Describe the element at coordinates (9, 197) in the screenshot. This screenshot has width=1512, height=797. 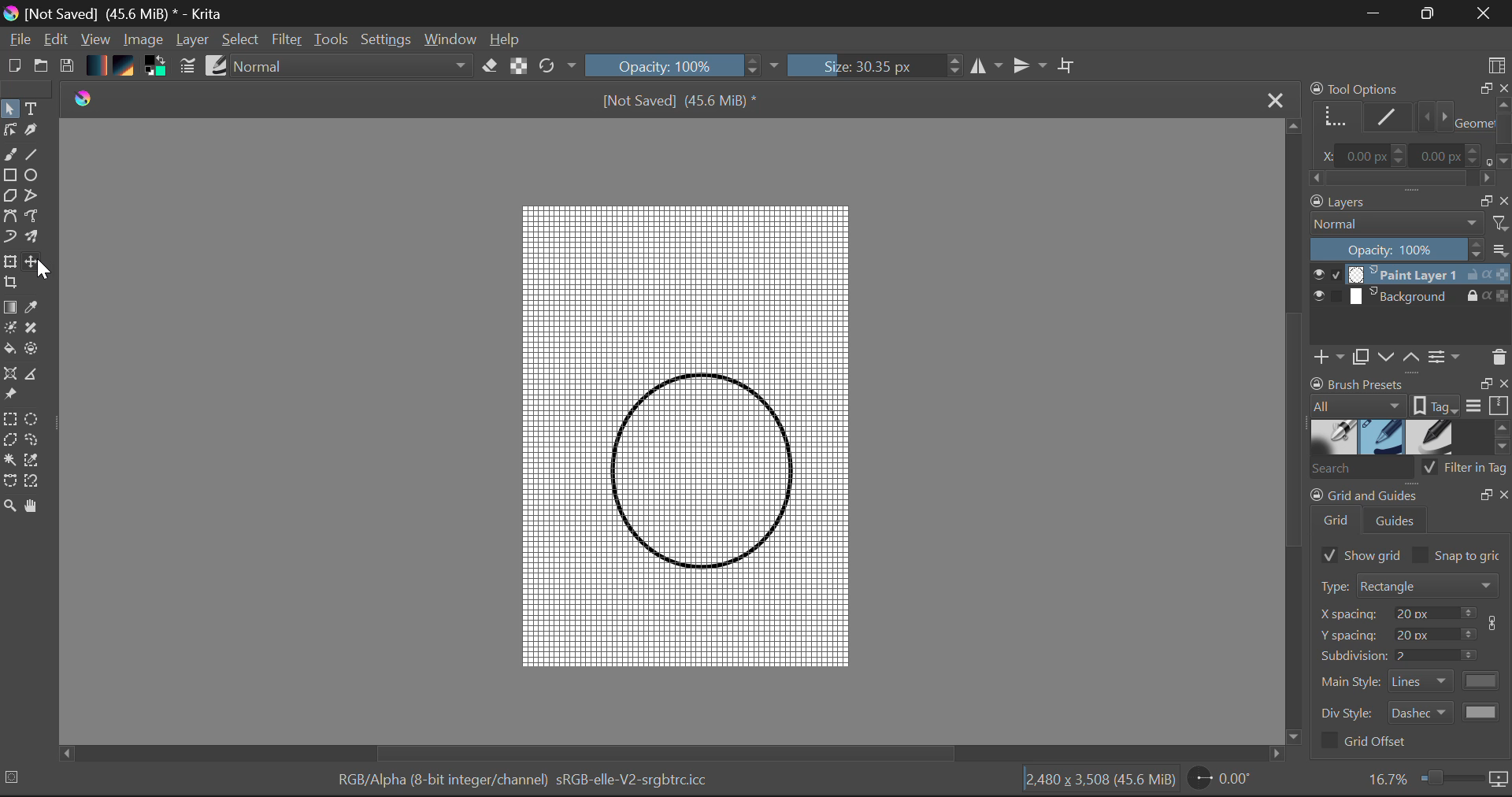
I see `Polygon` at that location.